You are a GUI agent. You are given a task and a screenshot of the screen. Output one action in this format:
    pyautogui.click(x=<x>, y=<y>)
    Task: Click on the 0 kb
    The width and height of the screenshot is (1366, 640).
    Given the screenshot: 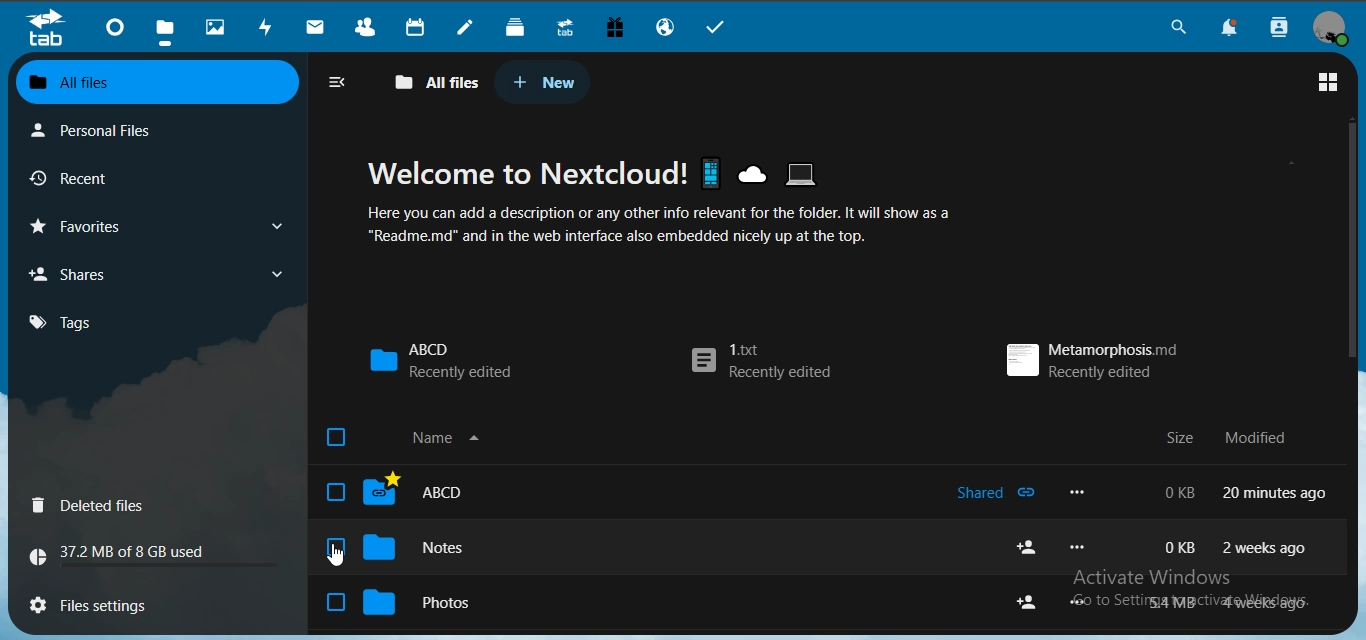 What is the action you would take?
    pyautogui.click(x=1181, y=491)
    